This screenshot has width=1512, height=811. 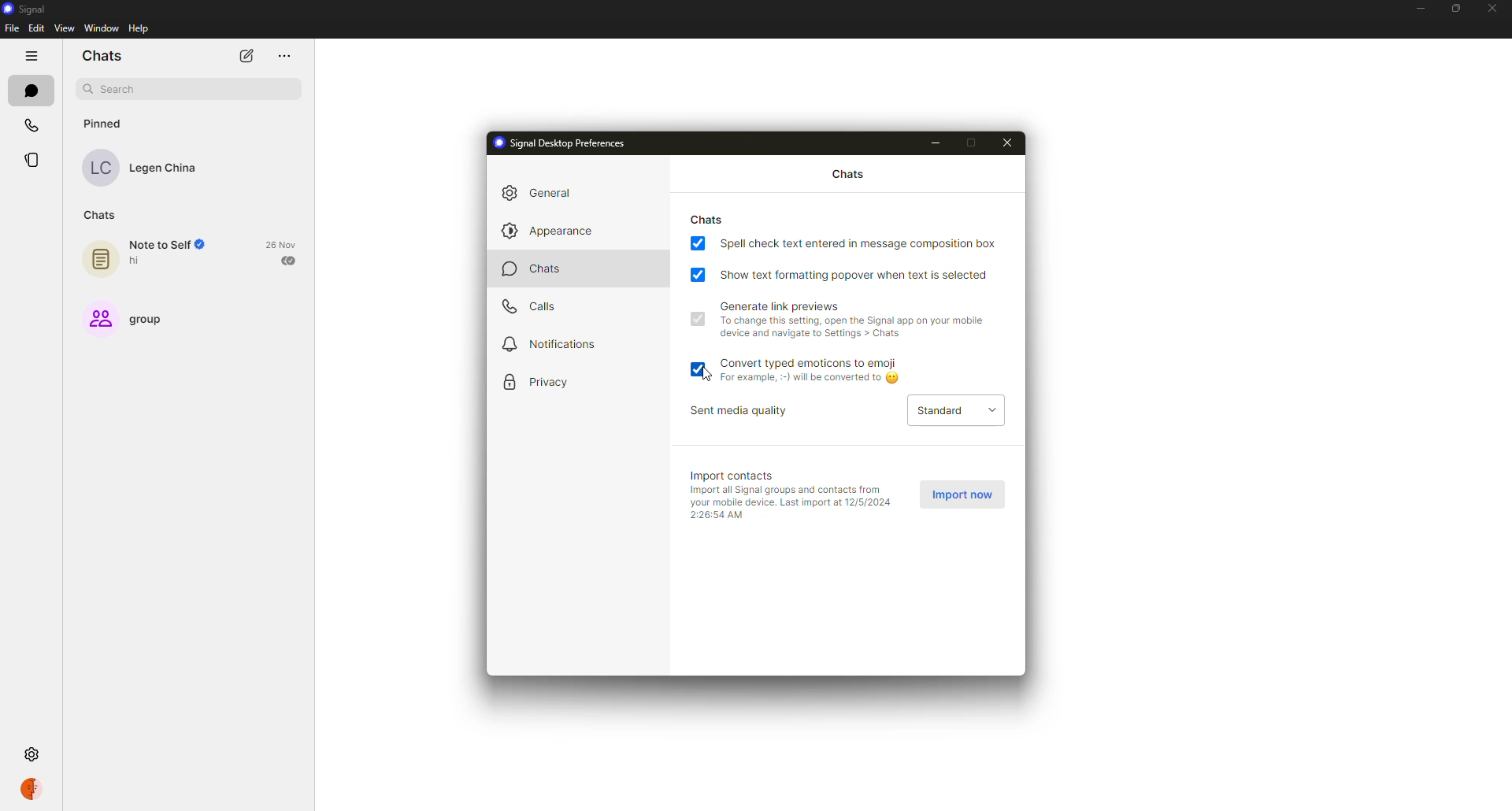 I want to click on new chat, so click(x=246, y=57).